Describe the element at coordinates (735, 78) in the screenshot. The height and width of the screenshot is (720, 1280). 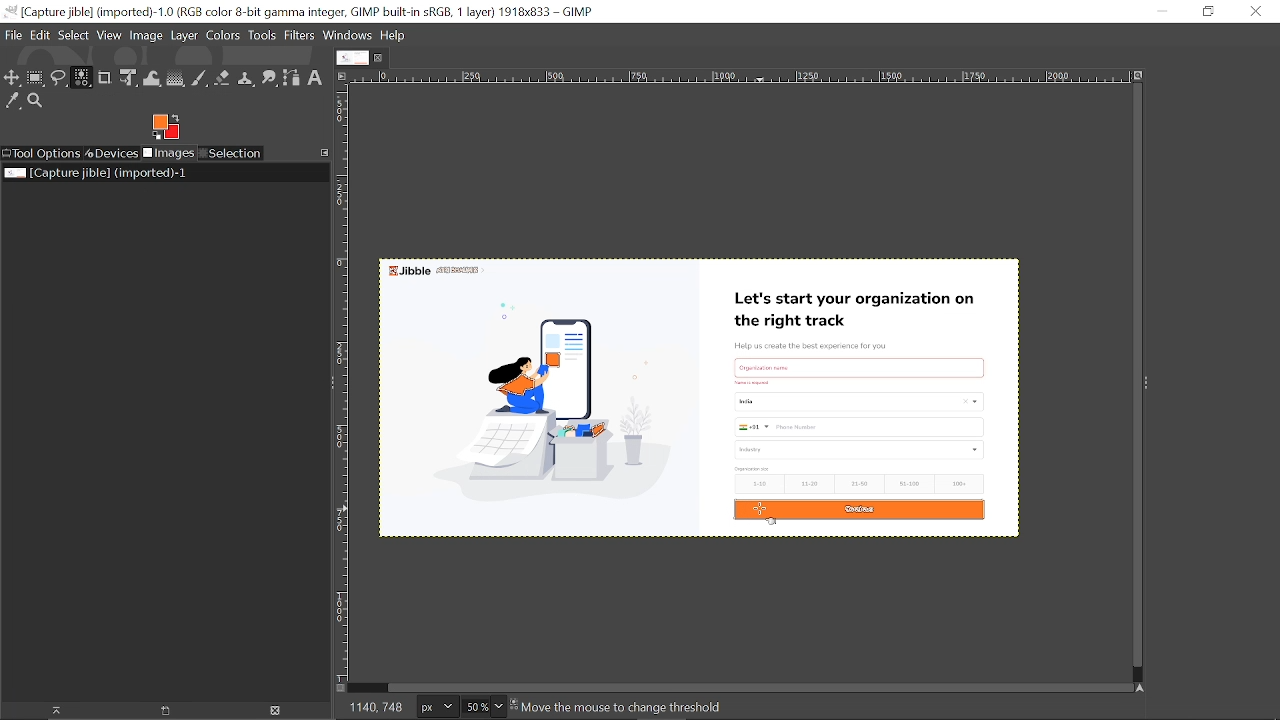
I see `Horizontal labe;` at that location.